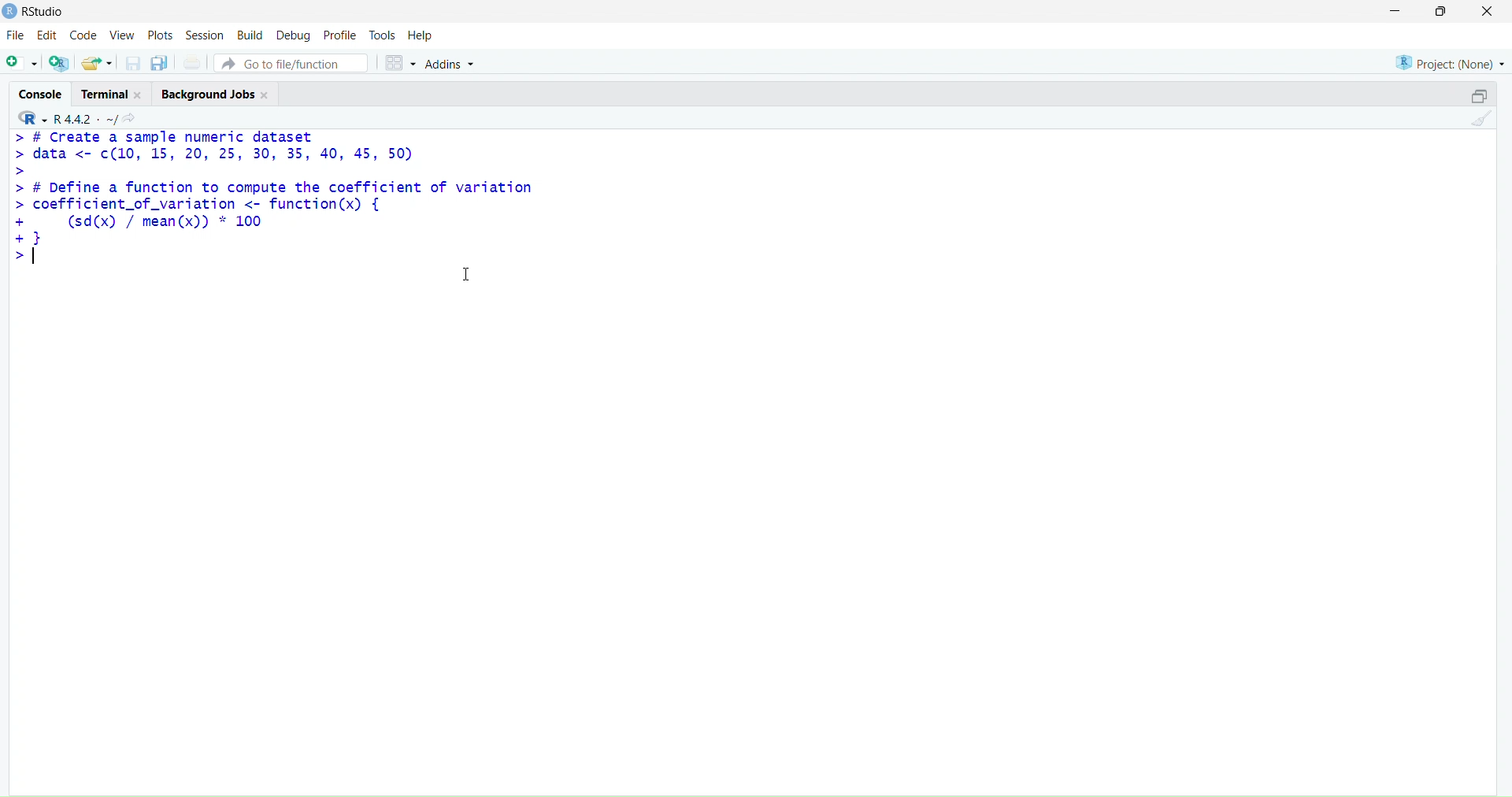 This screenshot has height=797, width=1512. I want to click on R 4.4.2 ~/, so click(85, 119).